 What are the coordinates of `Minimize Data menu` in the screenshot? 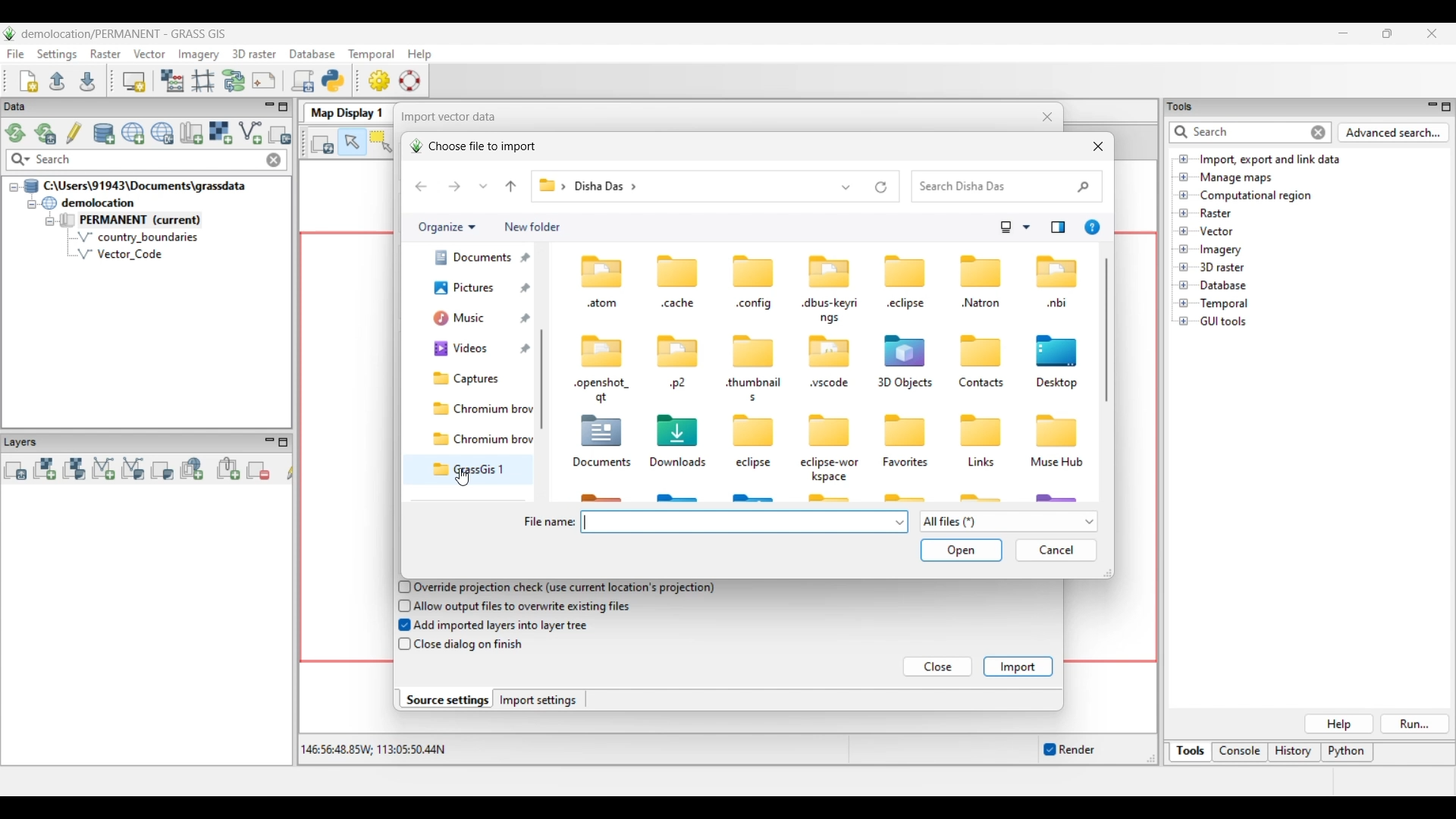 It's located at (269, 108).